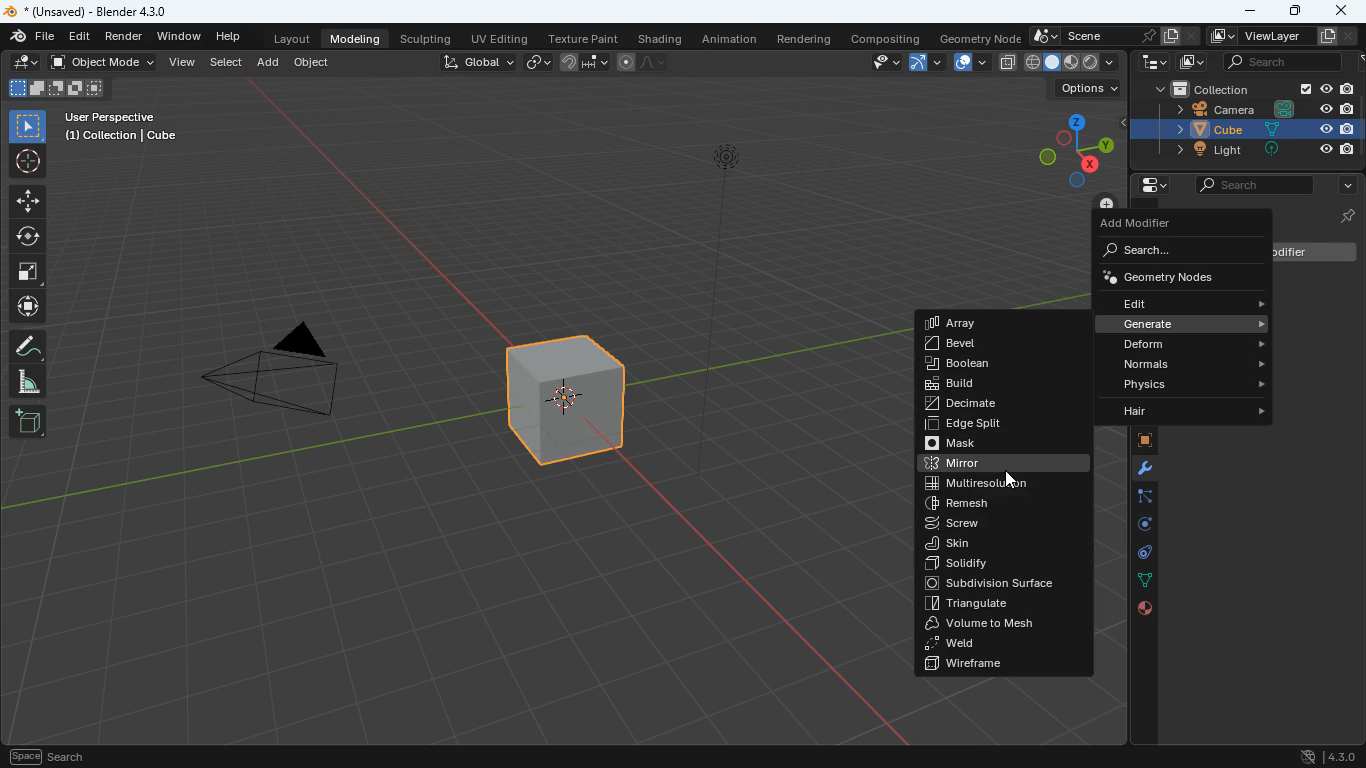 The width and height of the screenshot is (1366, 768). What do you see at coordinates (429, 38) in the screenshot?
I see `sculpting` at bounding box center [429, 38].